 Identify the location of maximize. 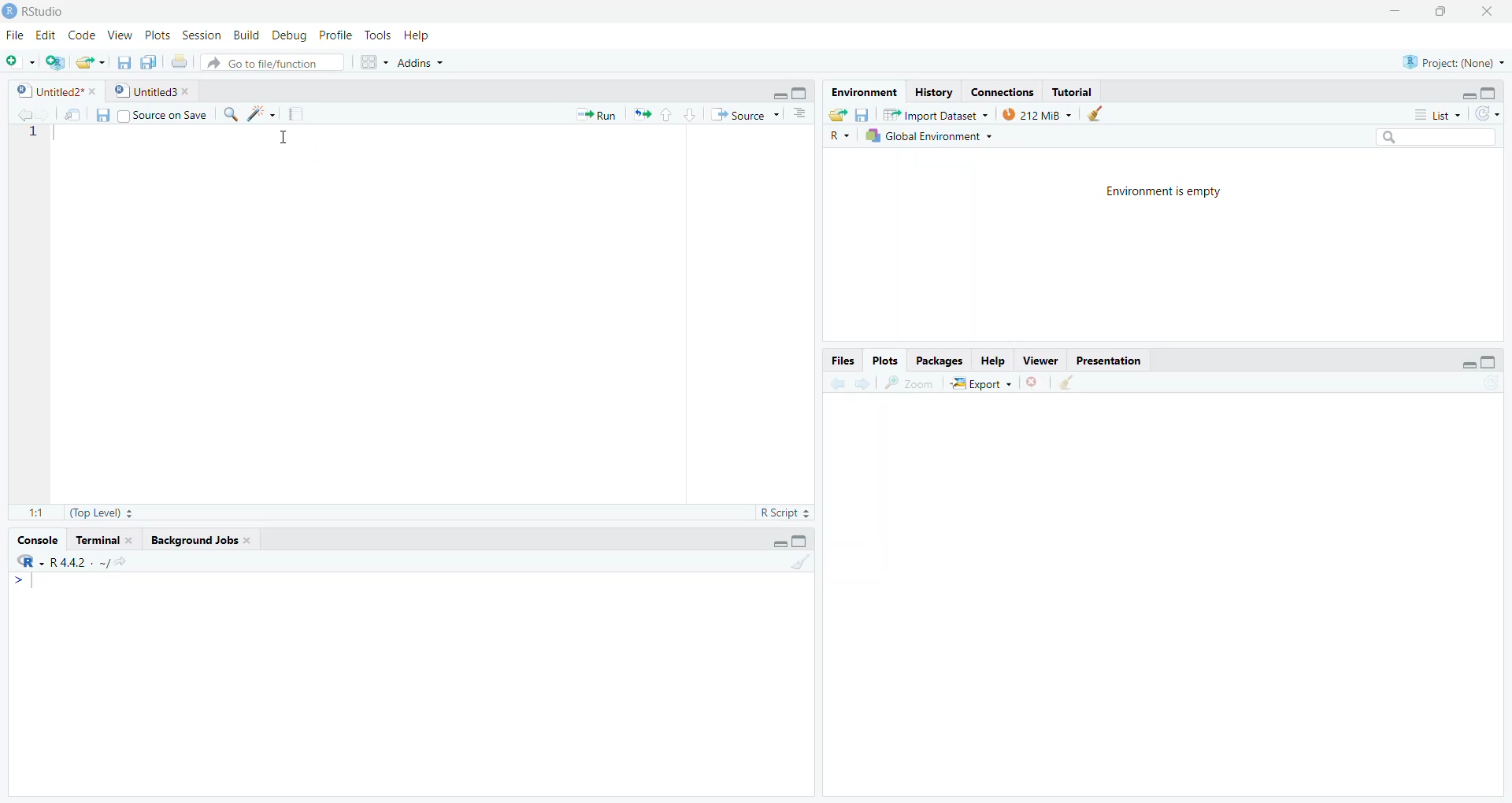
(1491, 363).